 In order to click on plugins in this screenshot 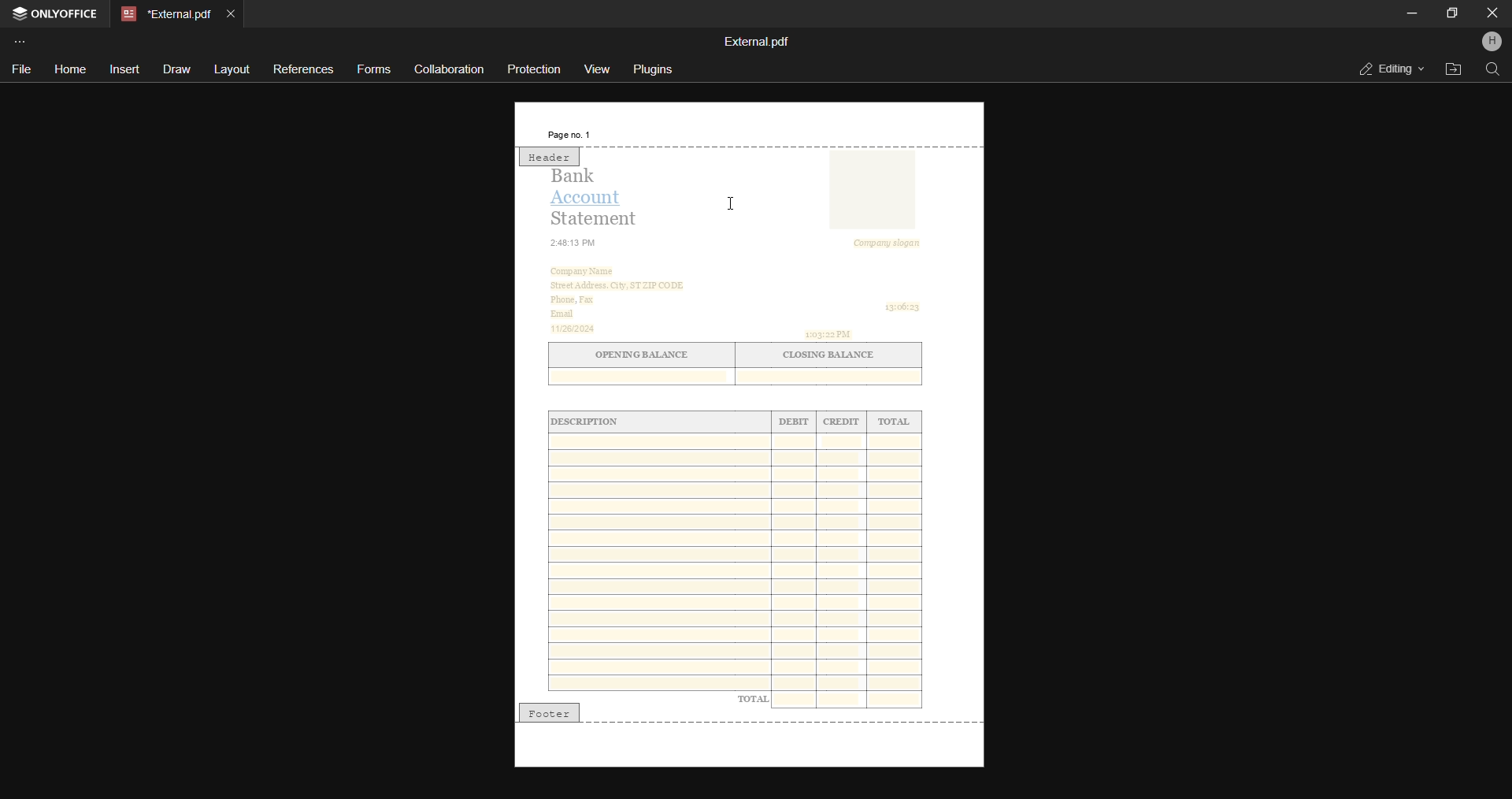, I will do `click(655, 69)`.